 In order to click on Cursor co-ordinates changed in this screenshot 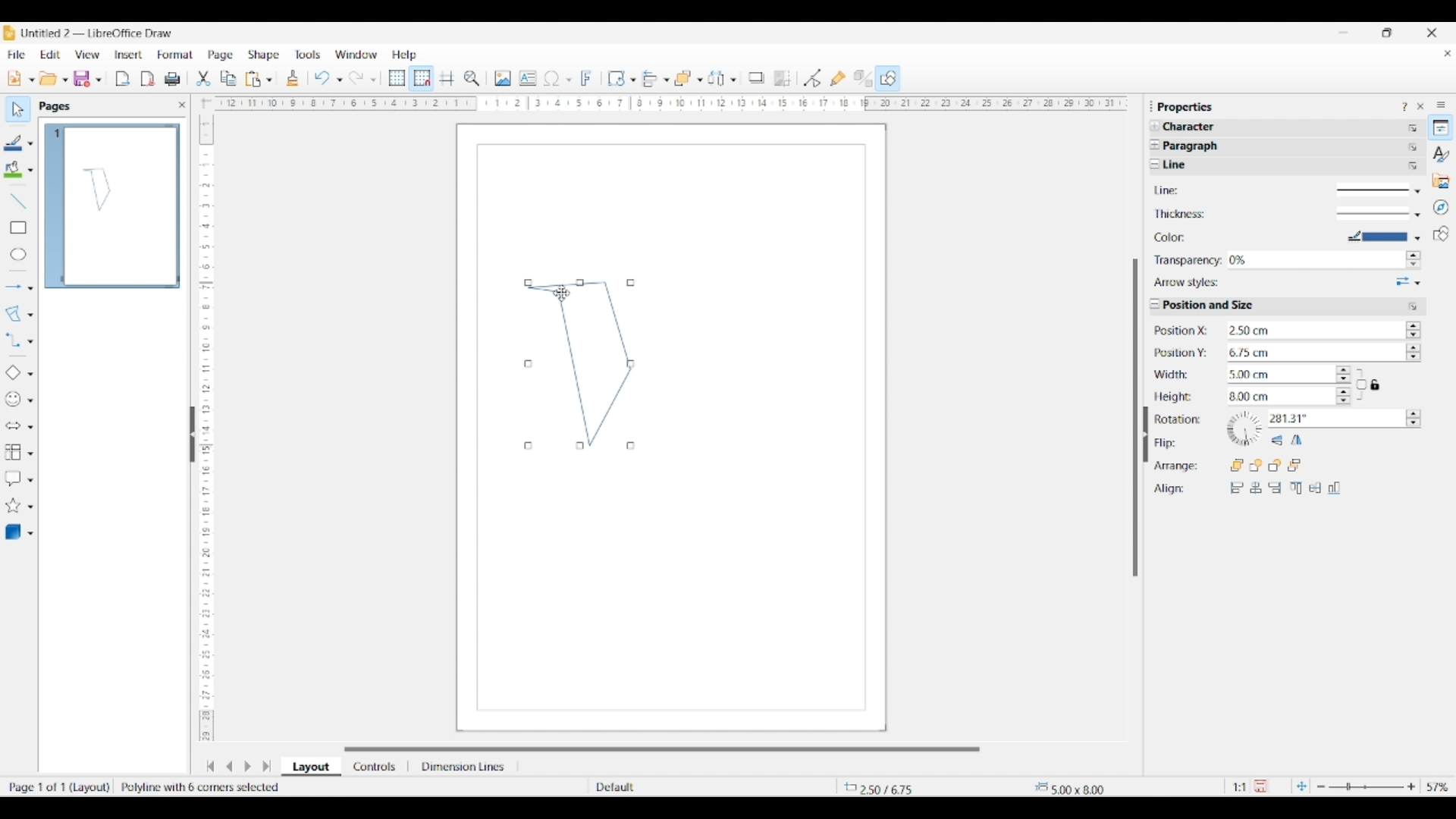, I will do `click(890, 787)`.